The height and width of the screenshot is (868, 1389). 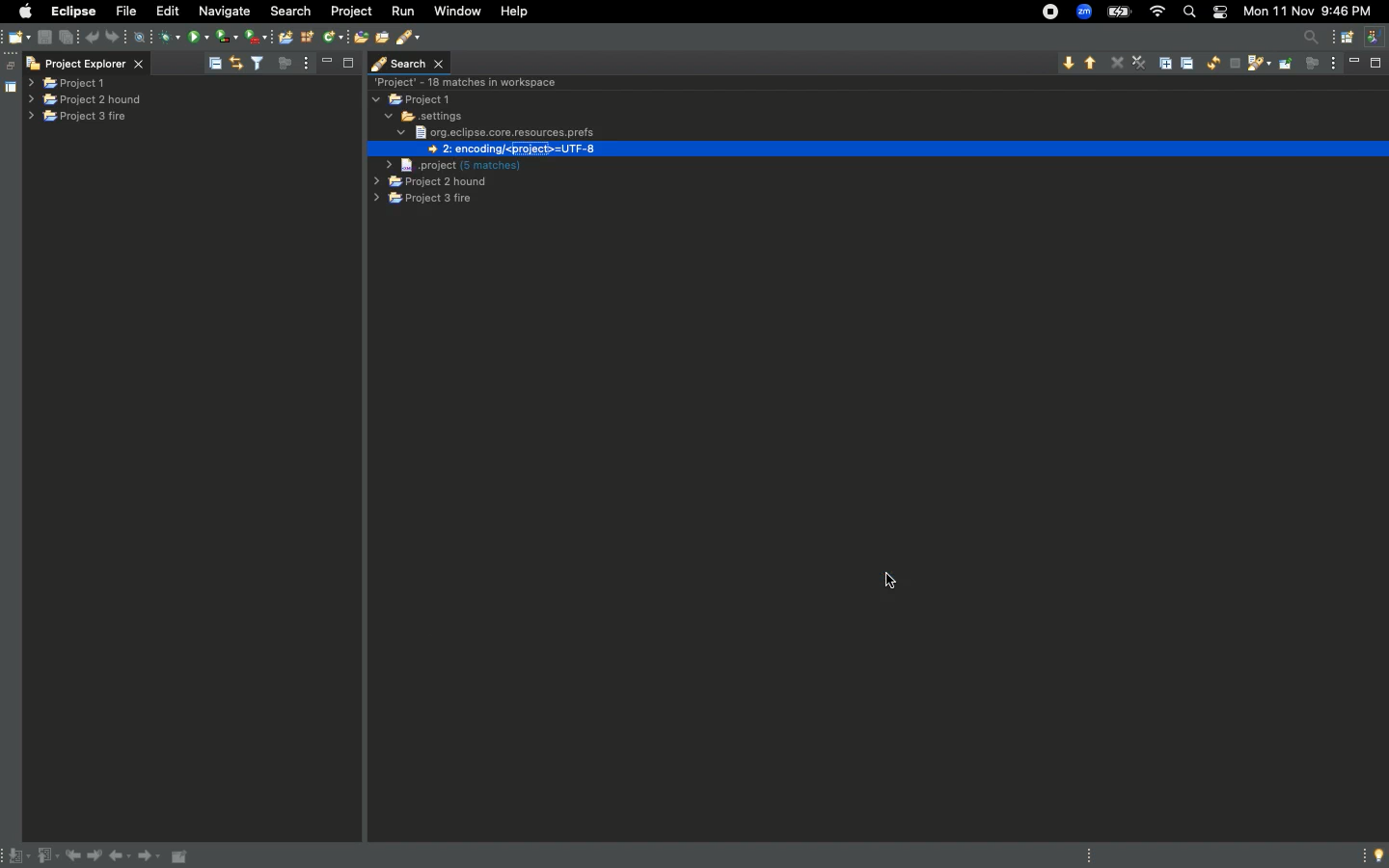 I want to click on Settings, so click(x=422, y=116).